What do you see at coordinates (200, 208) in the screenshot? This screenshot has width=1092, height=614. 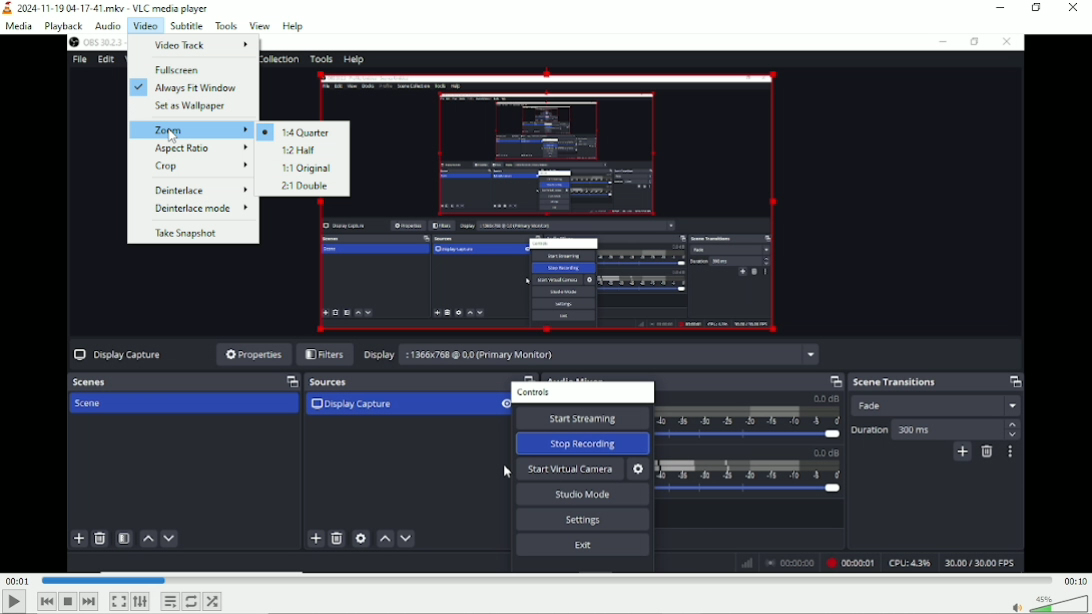 I see `Deinterlace mode` at bounding box center [200, 208].